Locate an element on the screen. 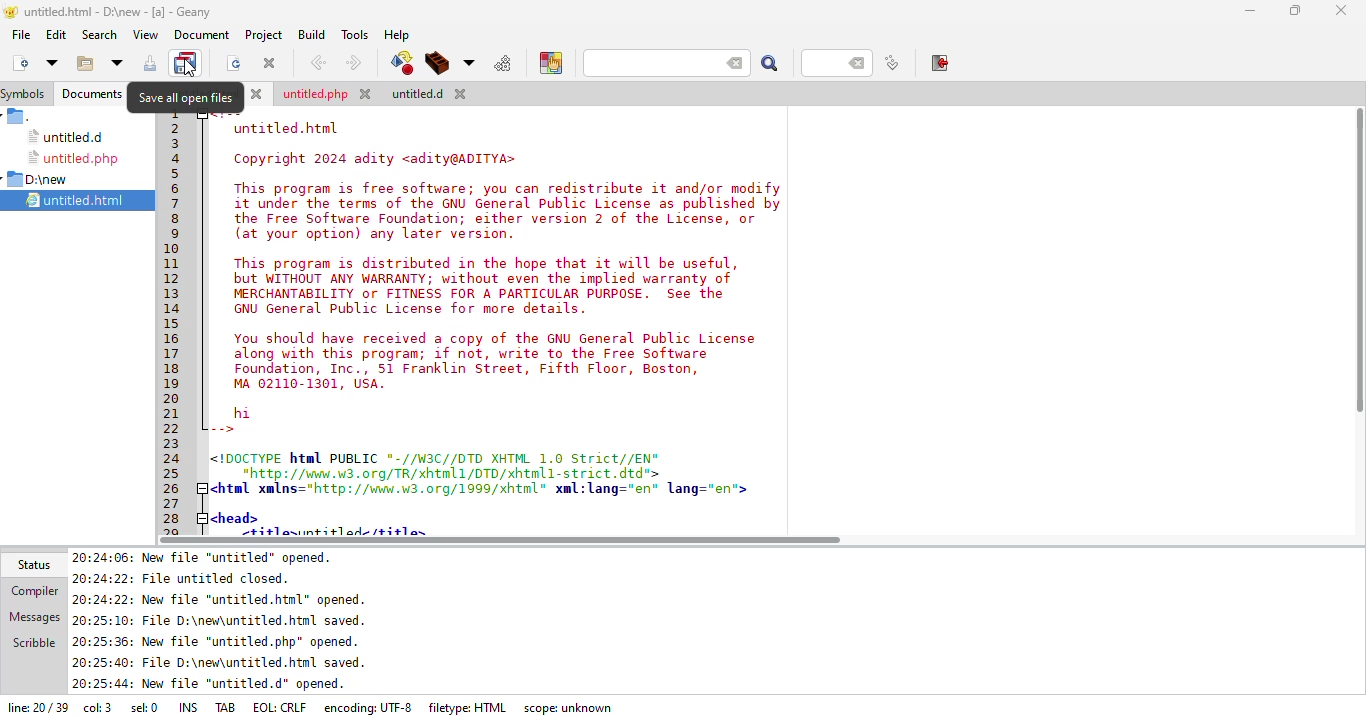  project is located at coordinates (263, 34).